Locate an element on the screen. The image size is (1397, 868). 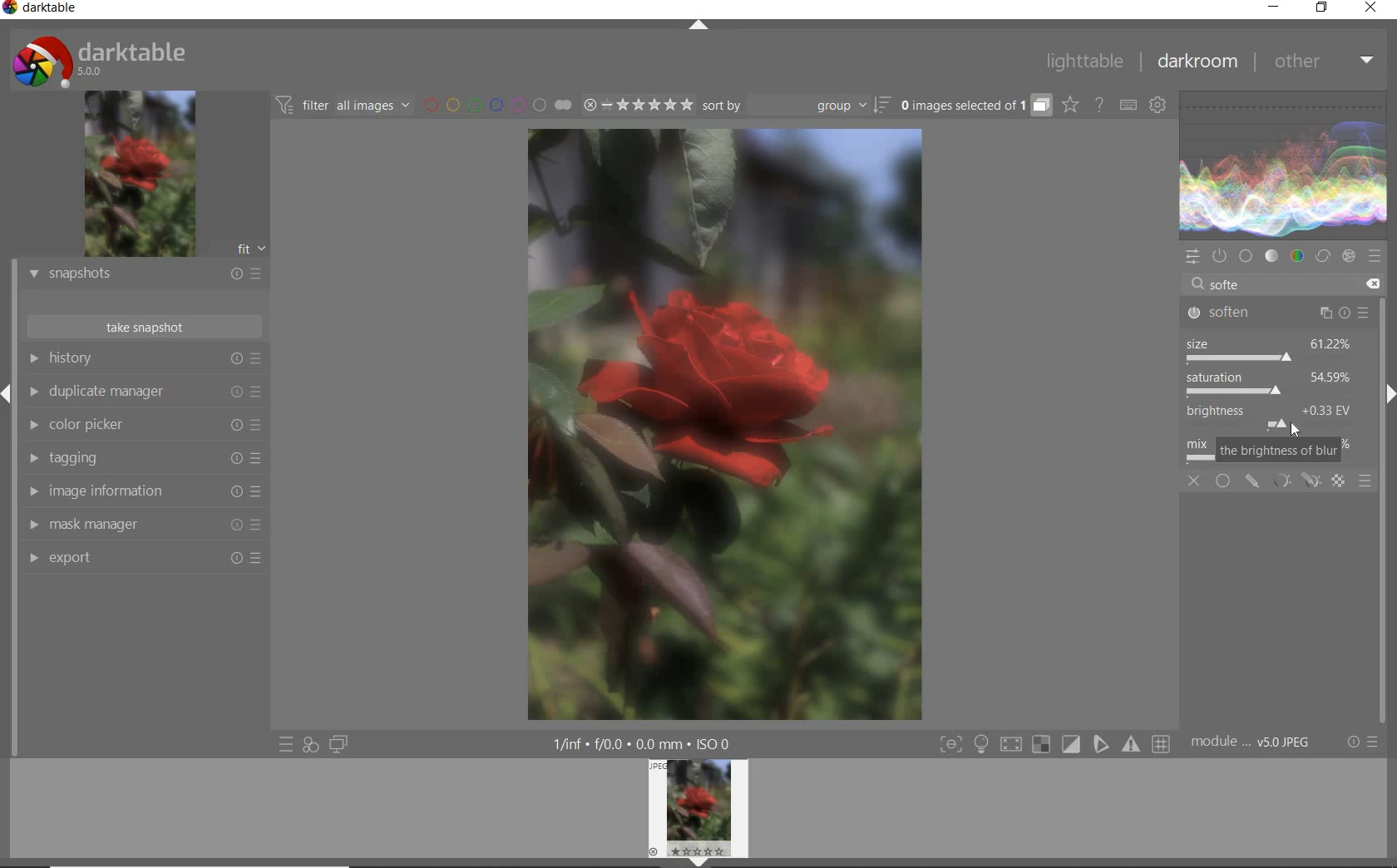
darkroom is located at coordinates (1197, 64).